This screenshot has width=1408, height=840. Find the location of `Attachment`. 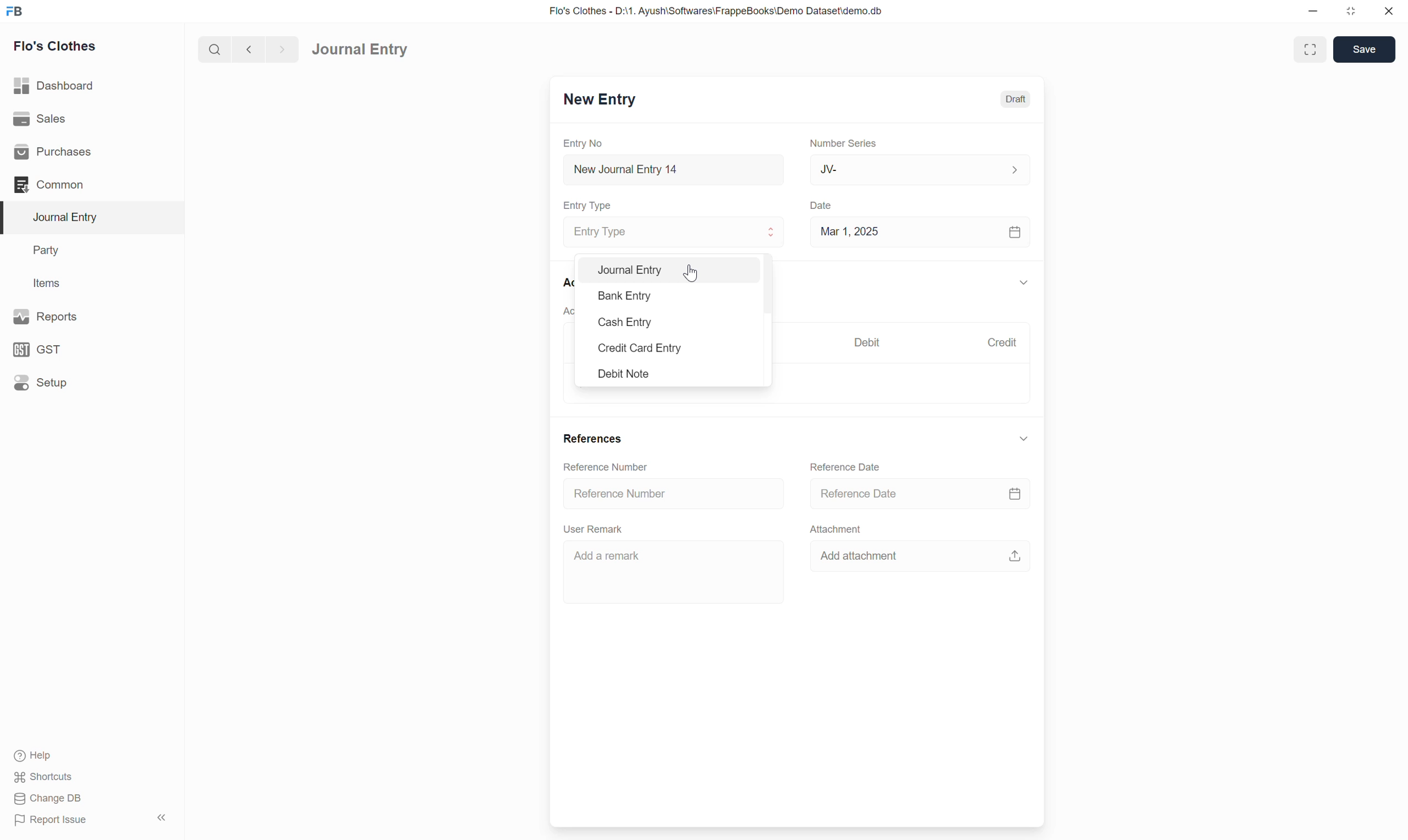

Attachment is located at coordinates (841, 532).